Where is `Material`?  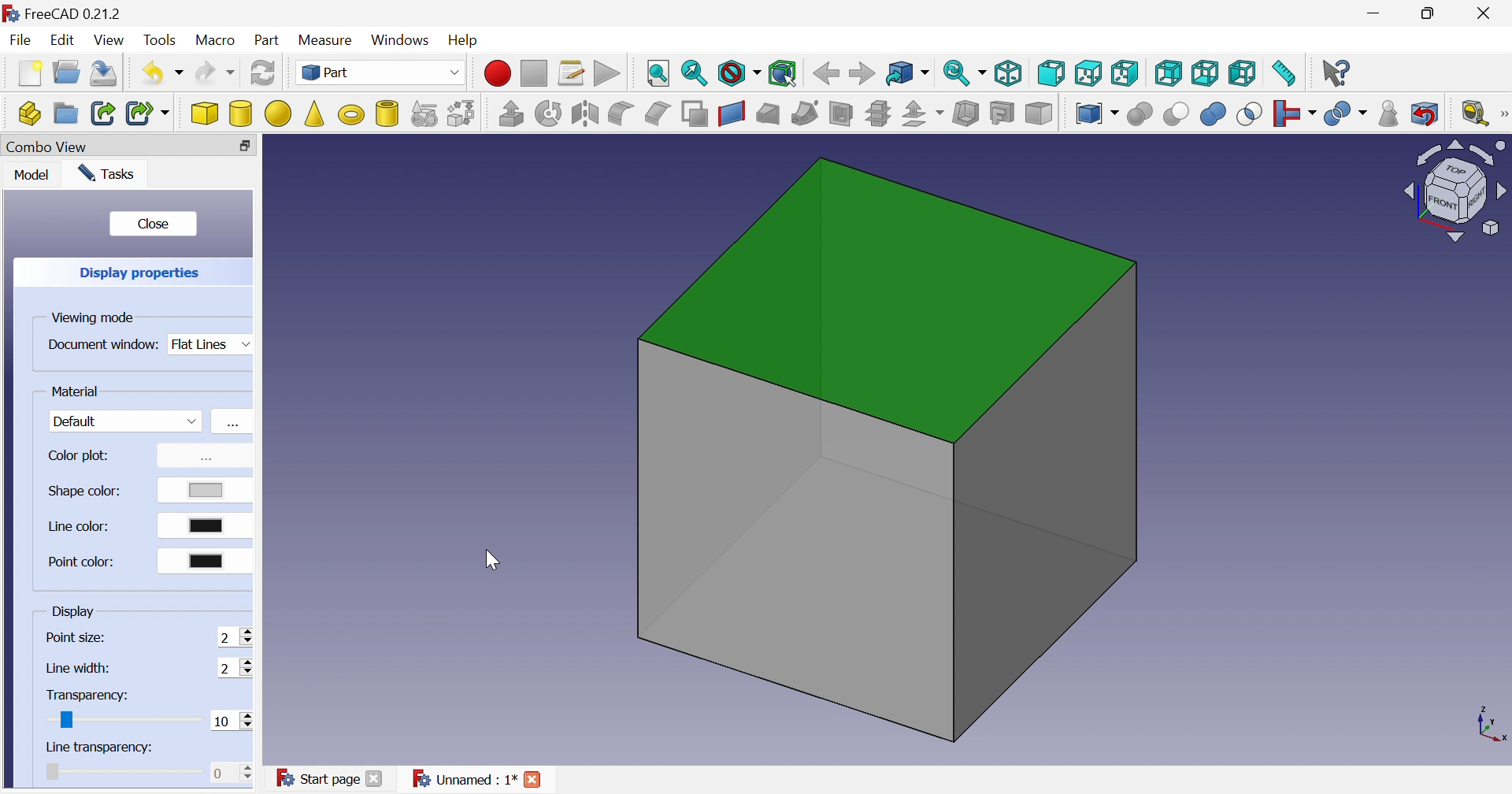 Material is located at coordinates (75, 391).